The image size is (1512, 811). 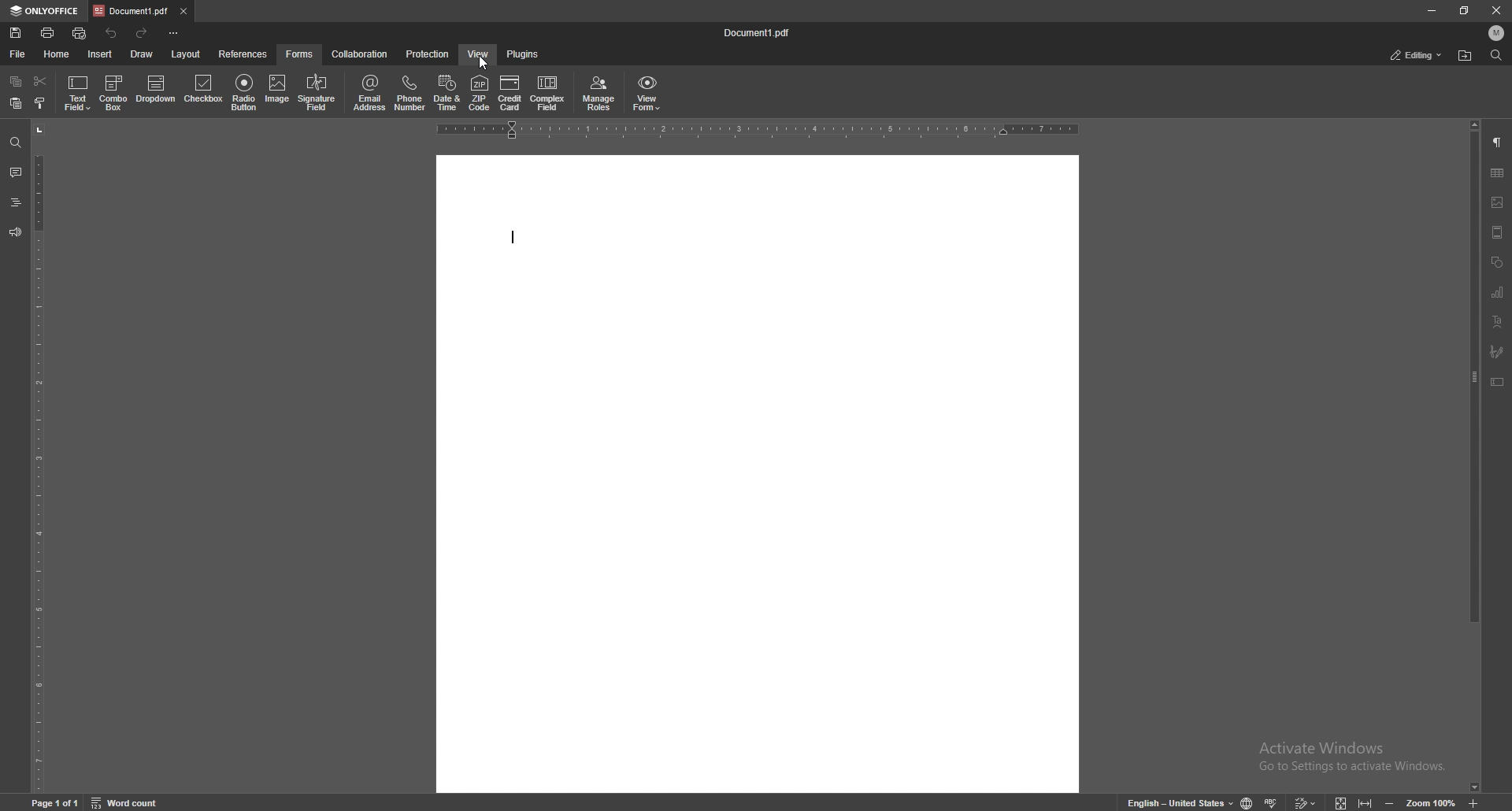 I want to click on minimize, so click(x=1432, y=11).